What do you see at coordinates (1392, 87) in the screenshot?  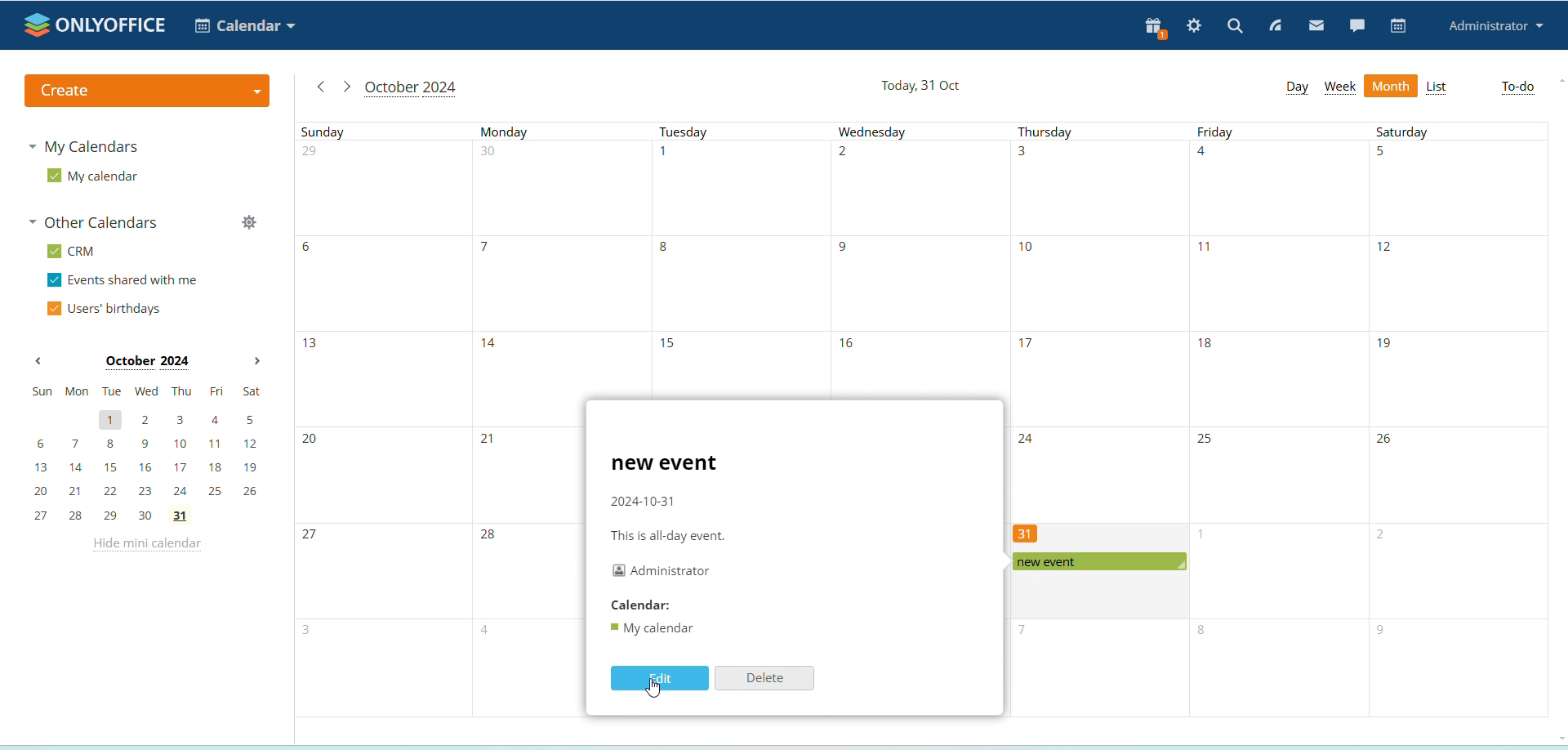 I see `month view` at bounding box center [1392, 87].